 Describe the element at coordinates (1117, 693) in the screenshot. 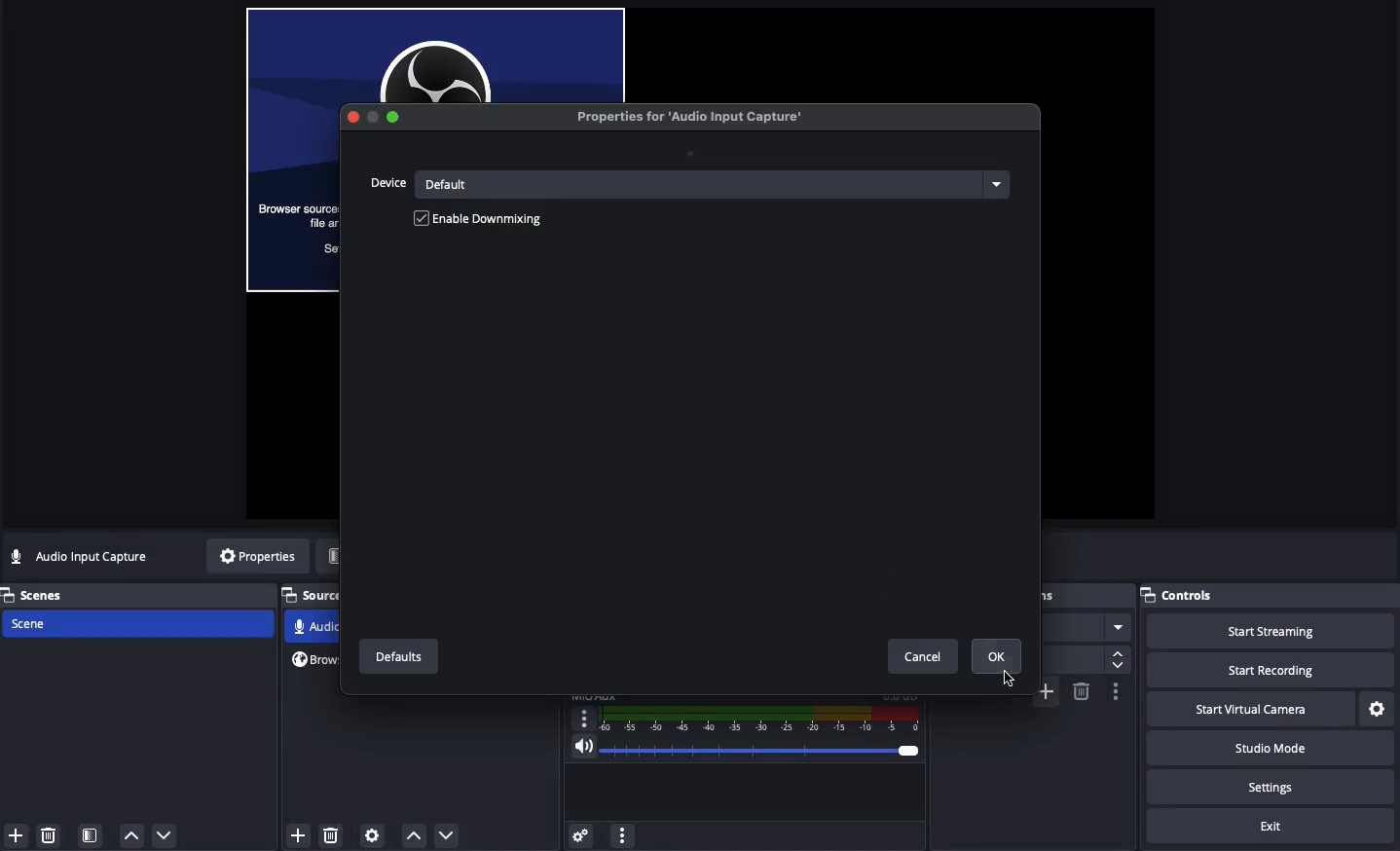

I see `Options` at that location.